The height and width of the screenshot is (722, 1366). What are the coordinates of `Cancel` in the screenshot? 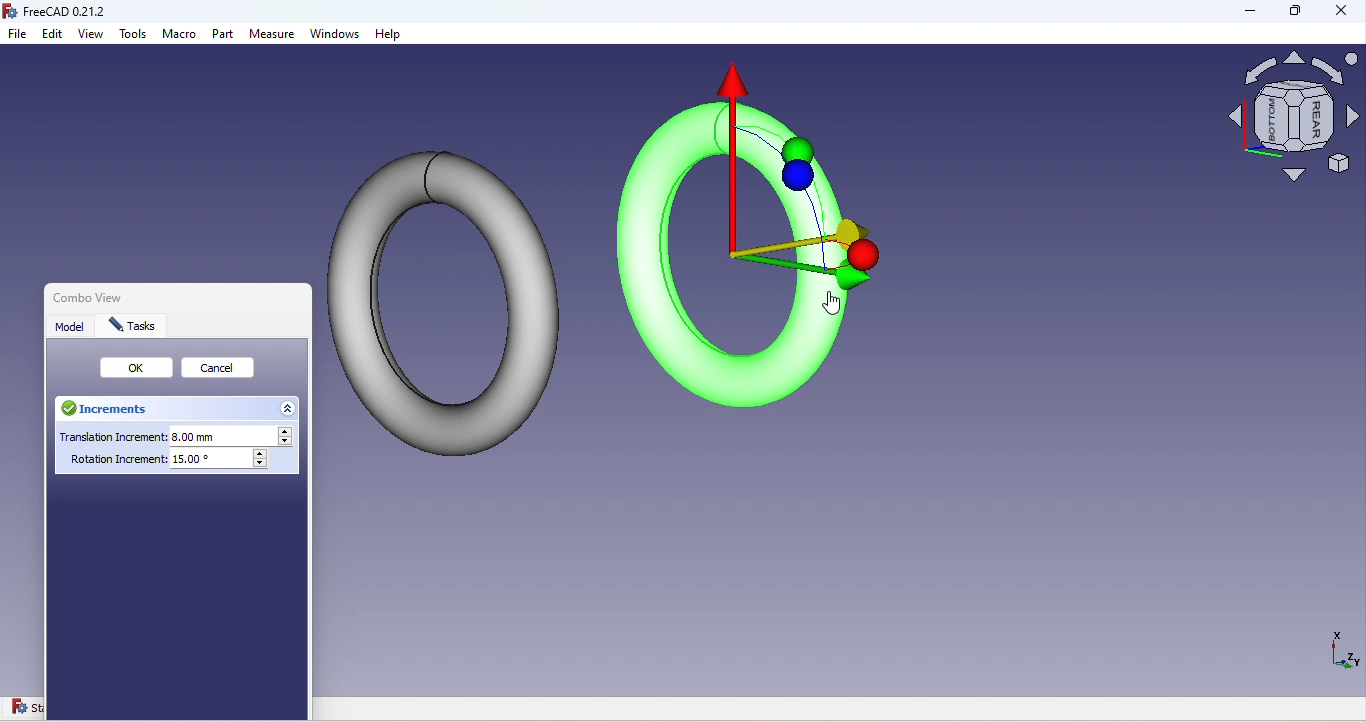 It's located at (223, 370).